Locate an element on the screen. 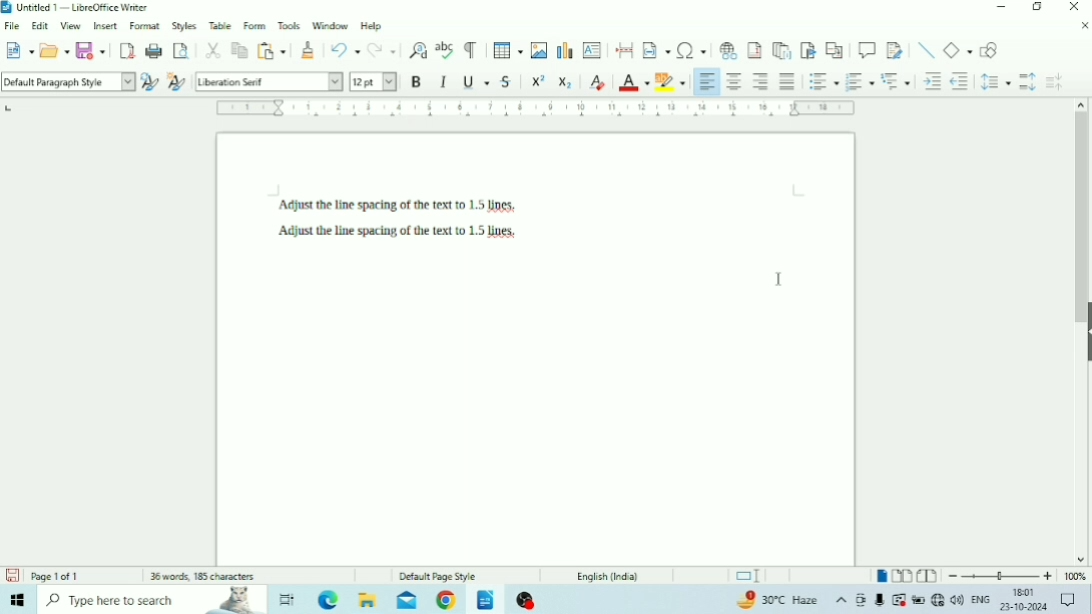 This screenshot has height=614, width=1092. Window is located at coordinates (331, 24).